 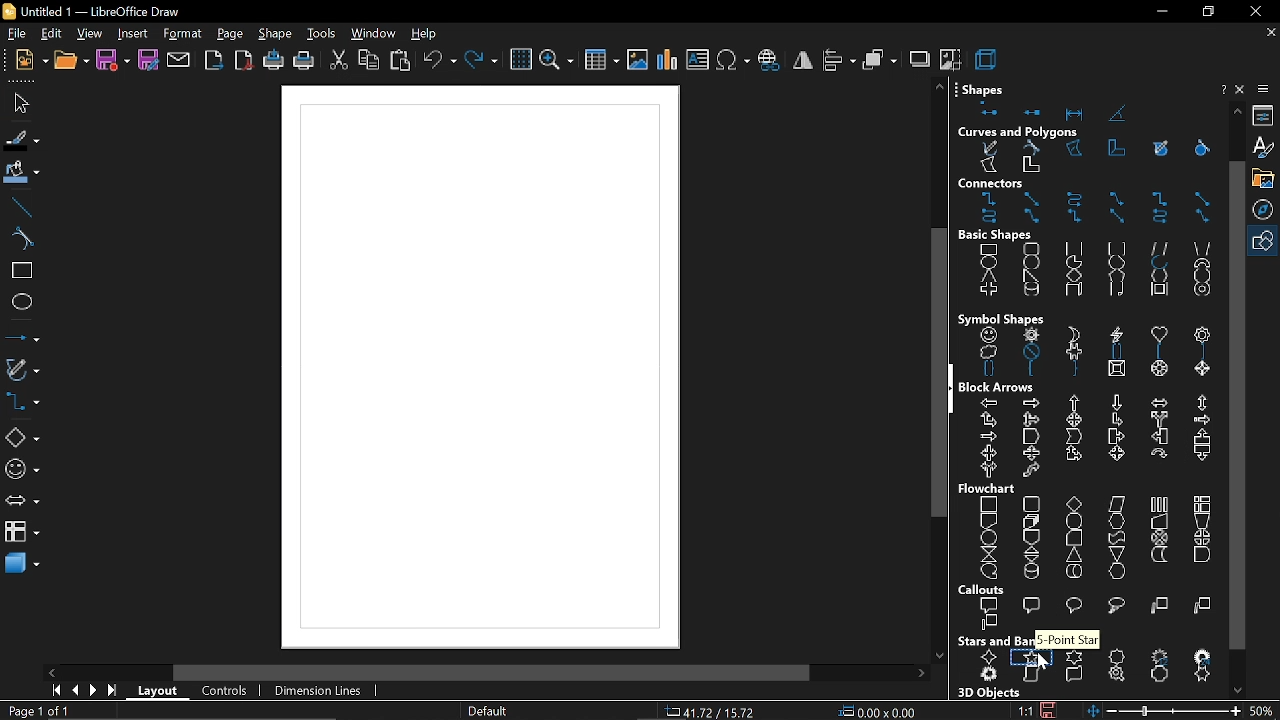 What do you see at coordinates (161, 692) in the screenshot?
I see `layout` at bounding box center [161, 692].